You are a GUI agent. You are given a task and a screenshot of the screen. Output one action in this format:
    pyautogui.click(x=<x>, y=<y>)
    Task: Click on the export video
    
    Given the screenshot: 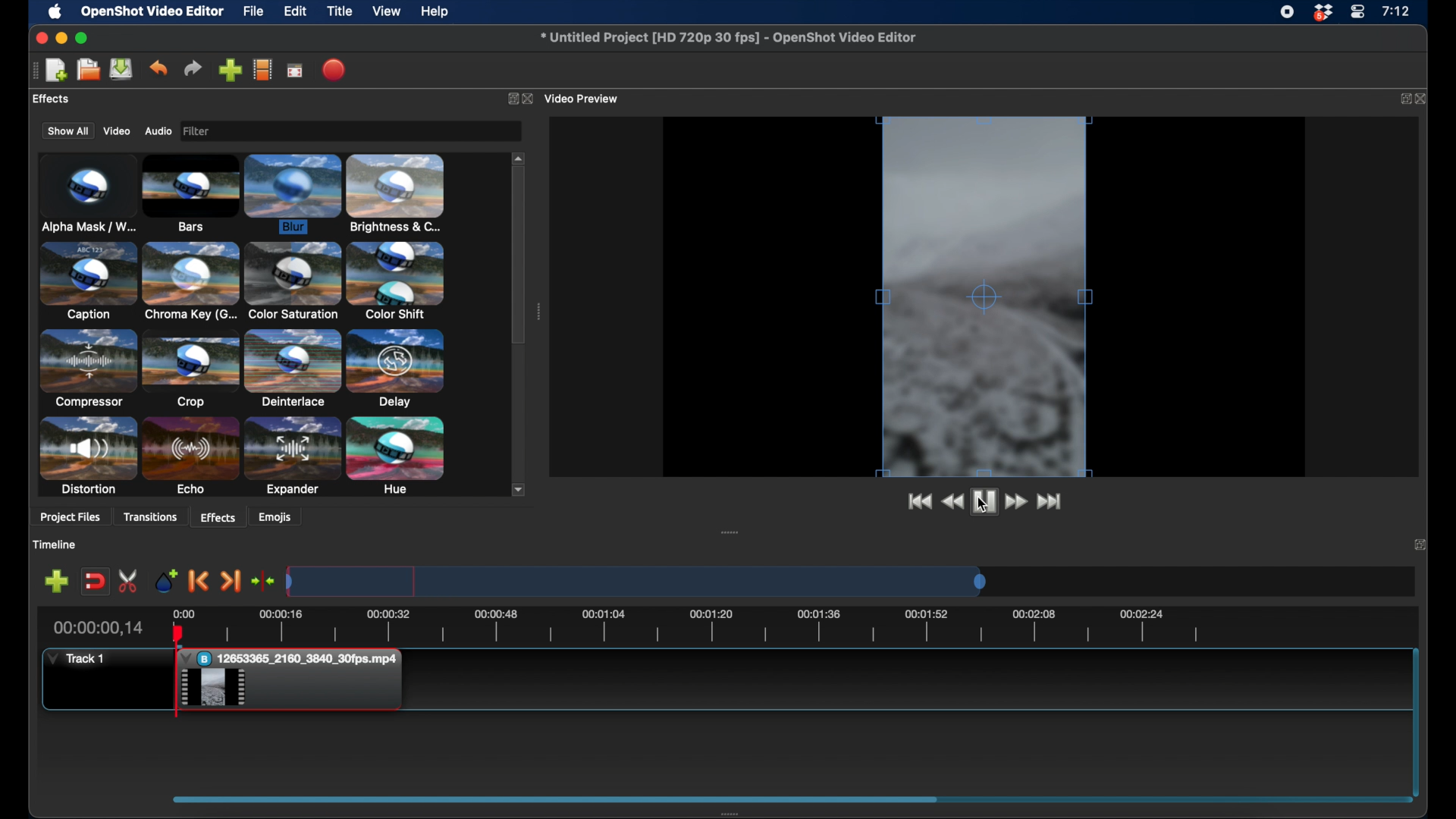 What is the action you would take?
    pyautogui.click(x=336, y=70)
    